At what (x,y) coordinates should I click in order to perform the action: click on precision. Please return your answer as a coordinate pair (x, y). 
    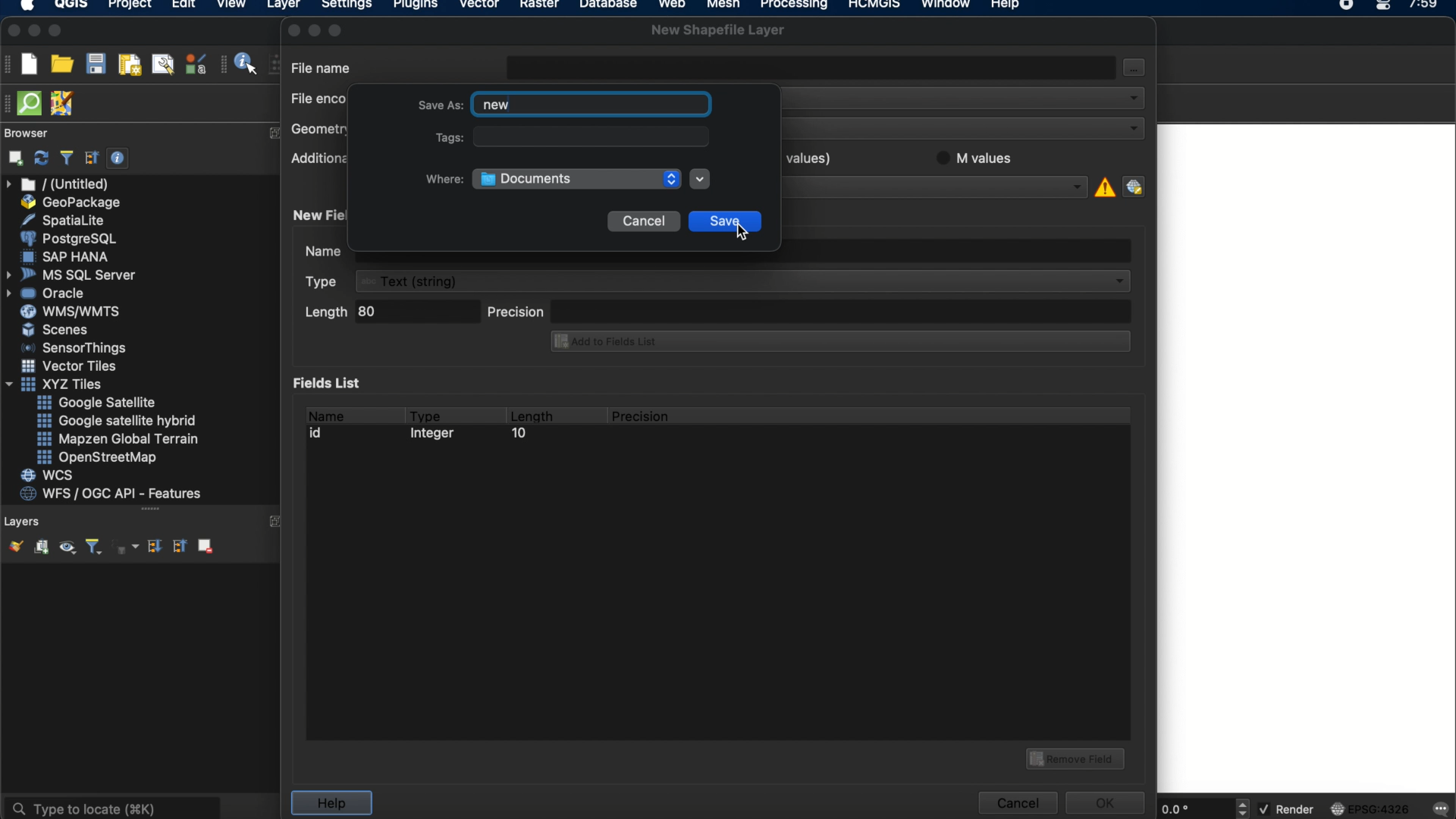
    Looking at the image, I should click on (642, 416).